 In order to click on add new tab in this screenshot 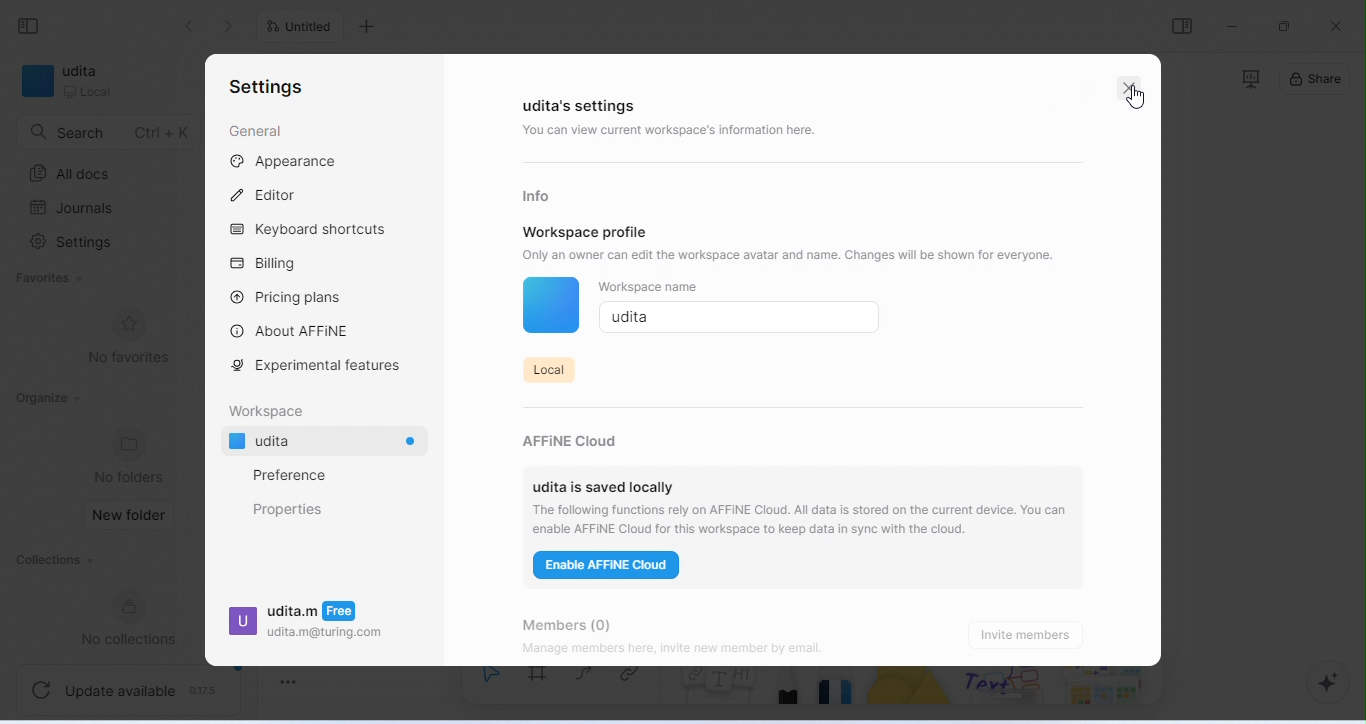, I will do `click(369, 27)`.